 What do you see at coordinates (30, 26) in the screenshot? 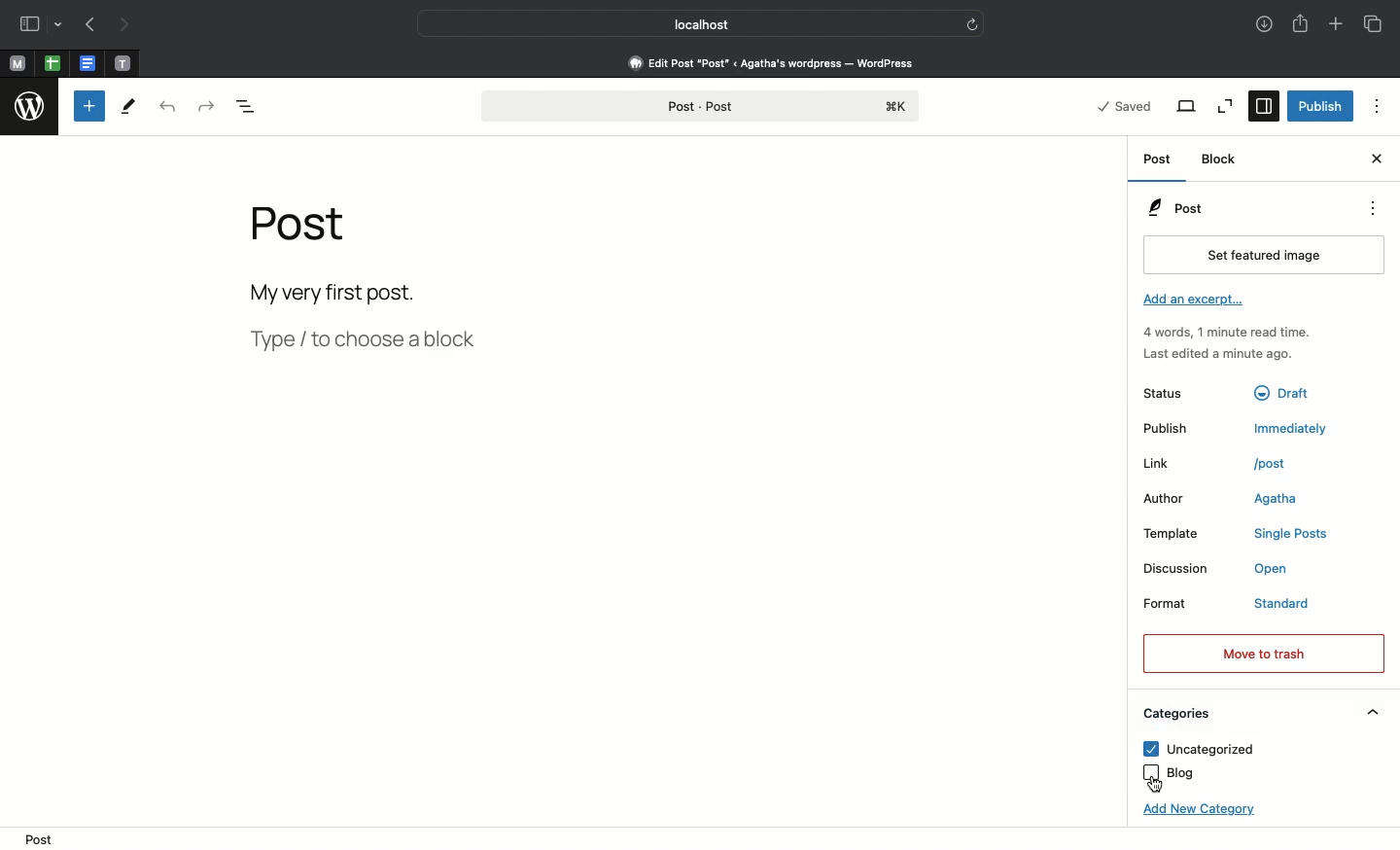
I see `Sidebare` at bounding box center [30, 26].